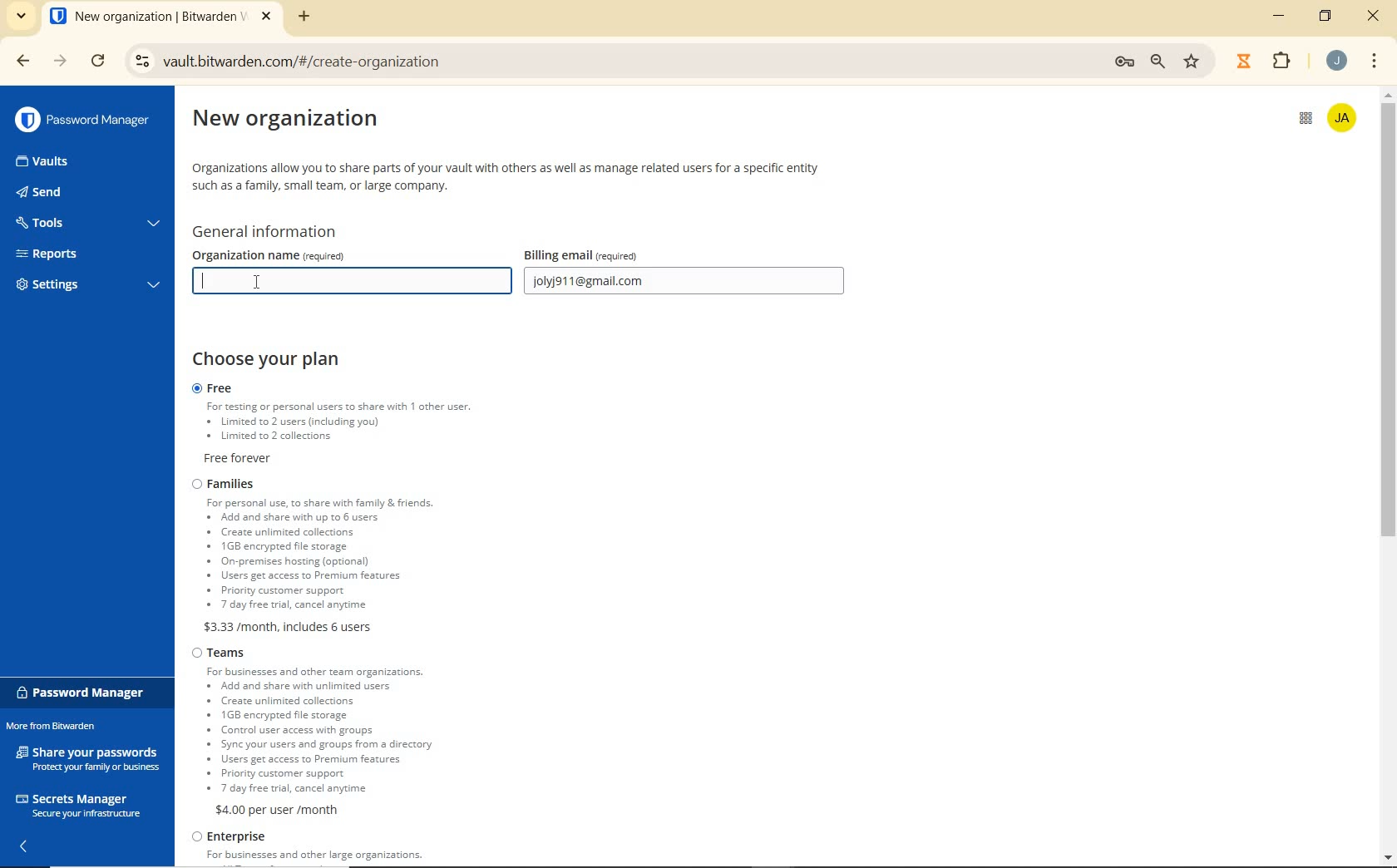 The width and height of the screenshot is (1397, 868). Describe the element at coordinates (1336, 61) in the screenshot. I see `account name` at that location.